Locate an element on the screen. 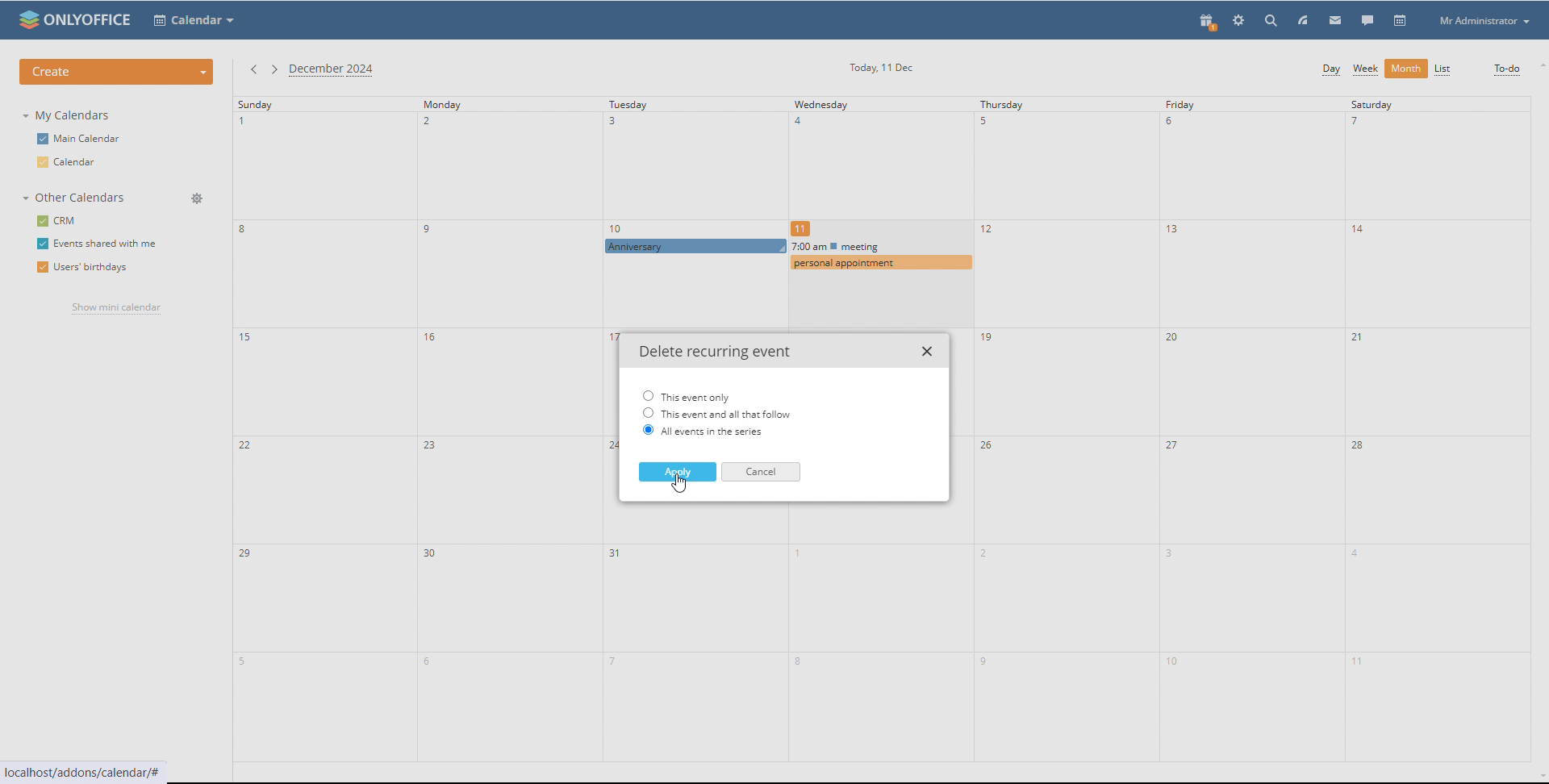 The height and width of the screenshot is (784, 1549). all events in the series is located at coordinates (703, 432).